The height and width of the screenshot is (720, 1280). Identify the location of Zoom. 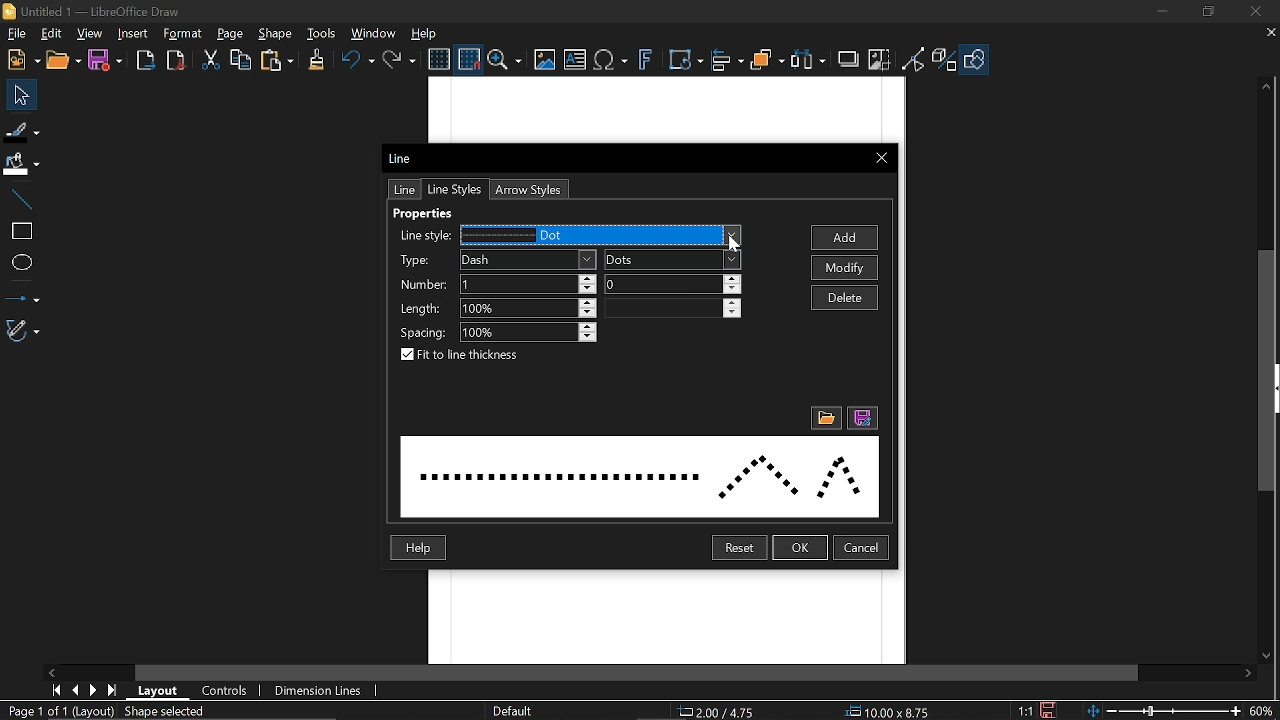
(505, 60).